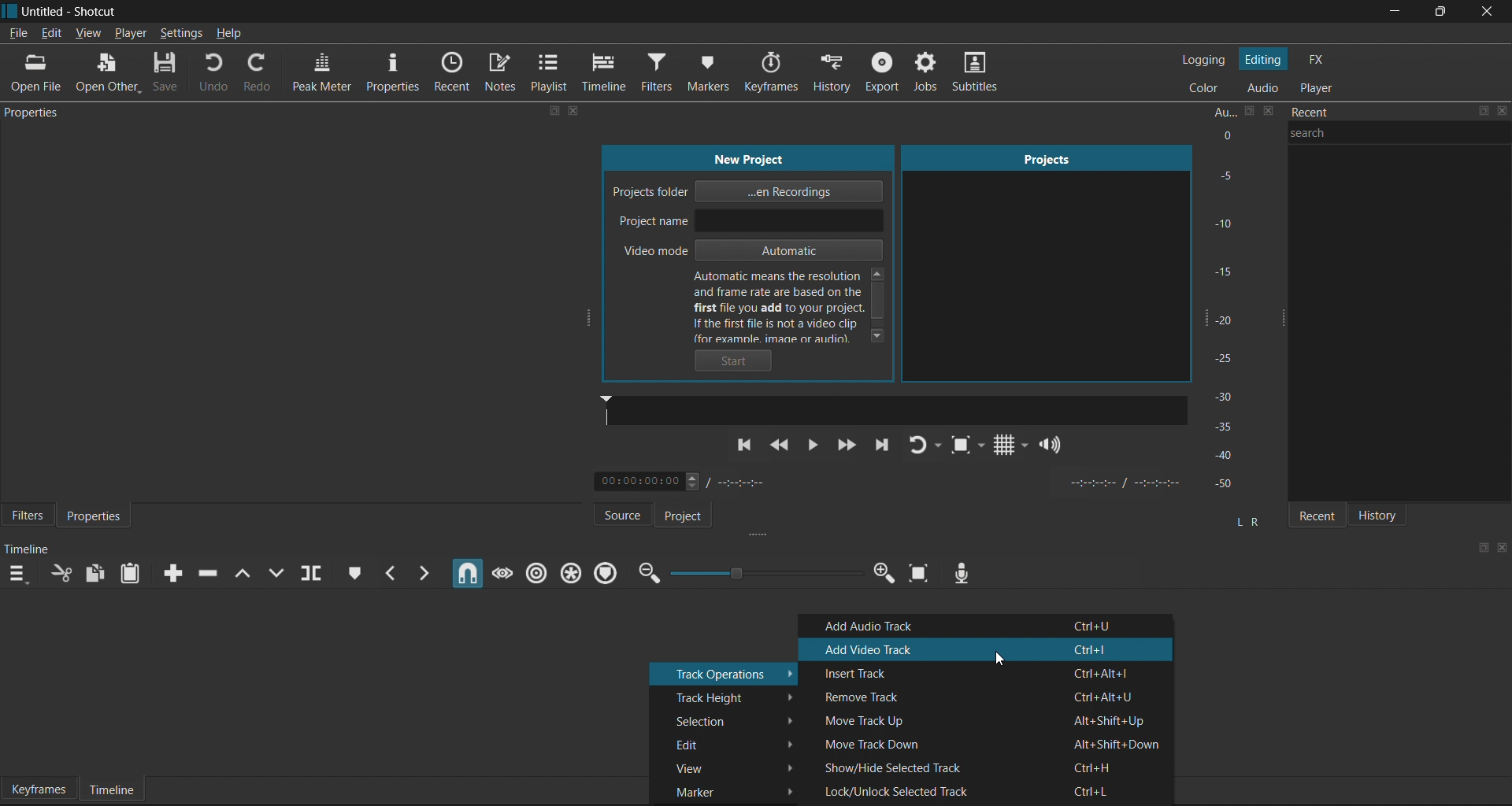  I want to click on Rewind, so click(783, 447).